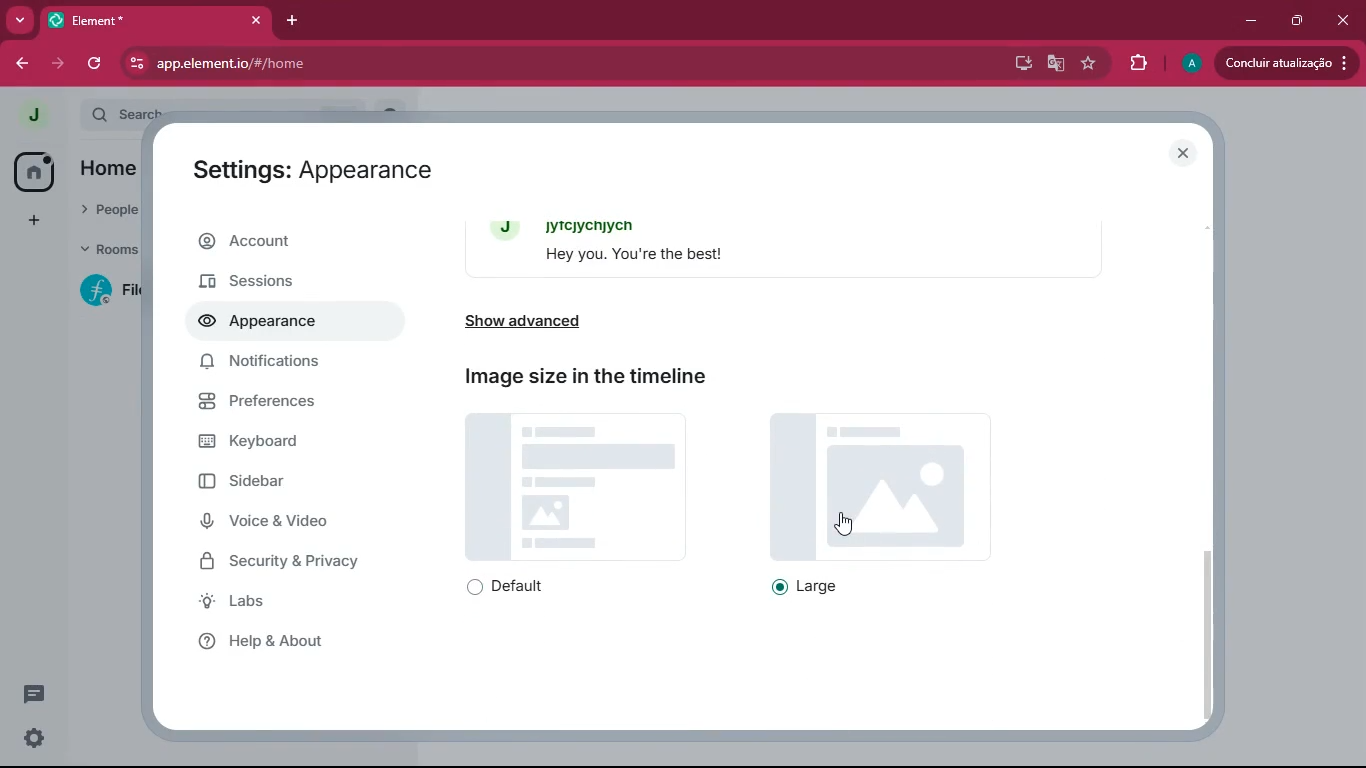 This screenshot has width=1366, height=768. Describe the element at coordinates (21, 63) in the screenshot. I see `back` at that location.